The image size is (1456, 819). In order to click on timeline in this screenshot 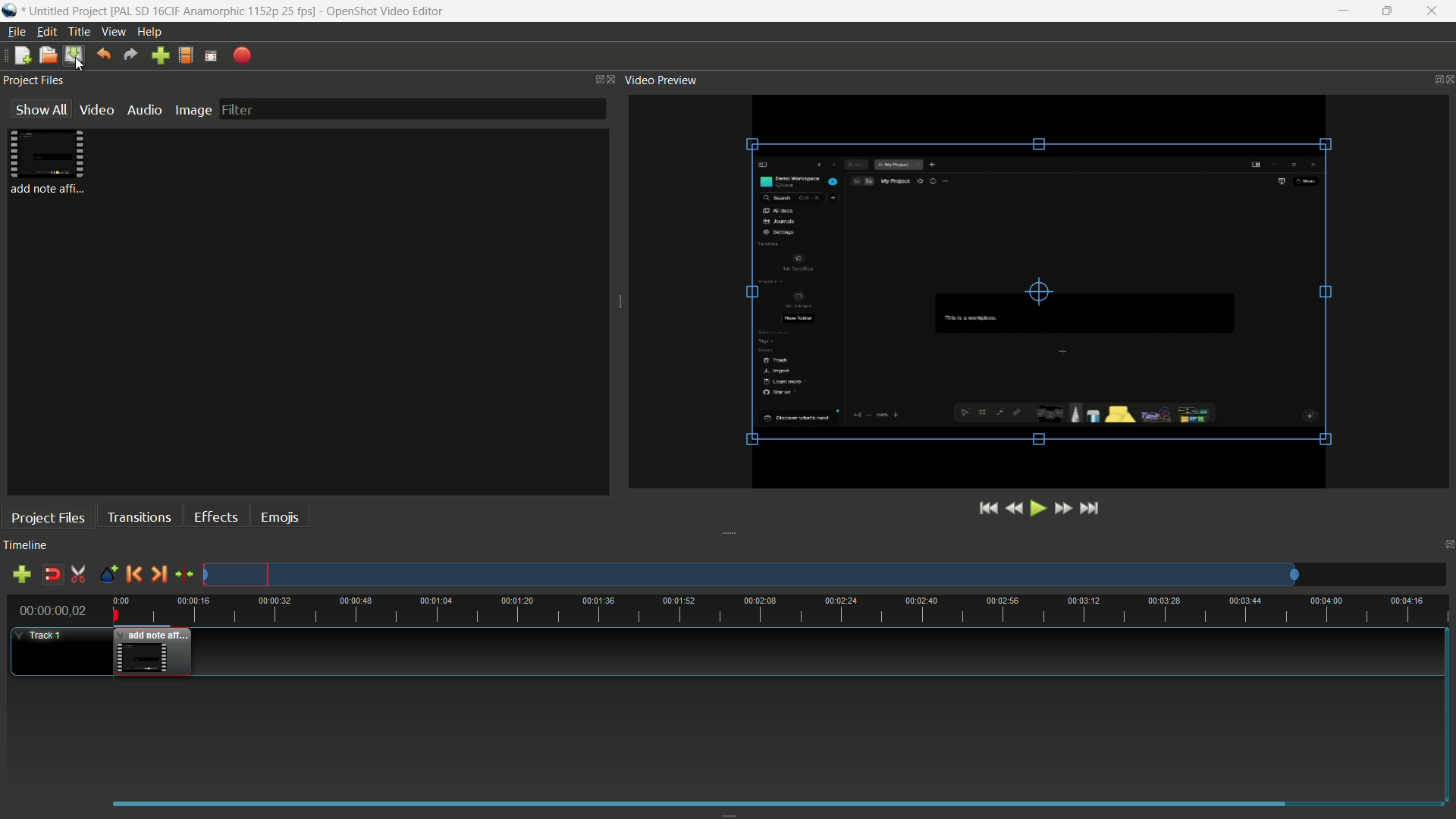, I will do `click(26, 545)`.